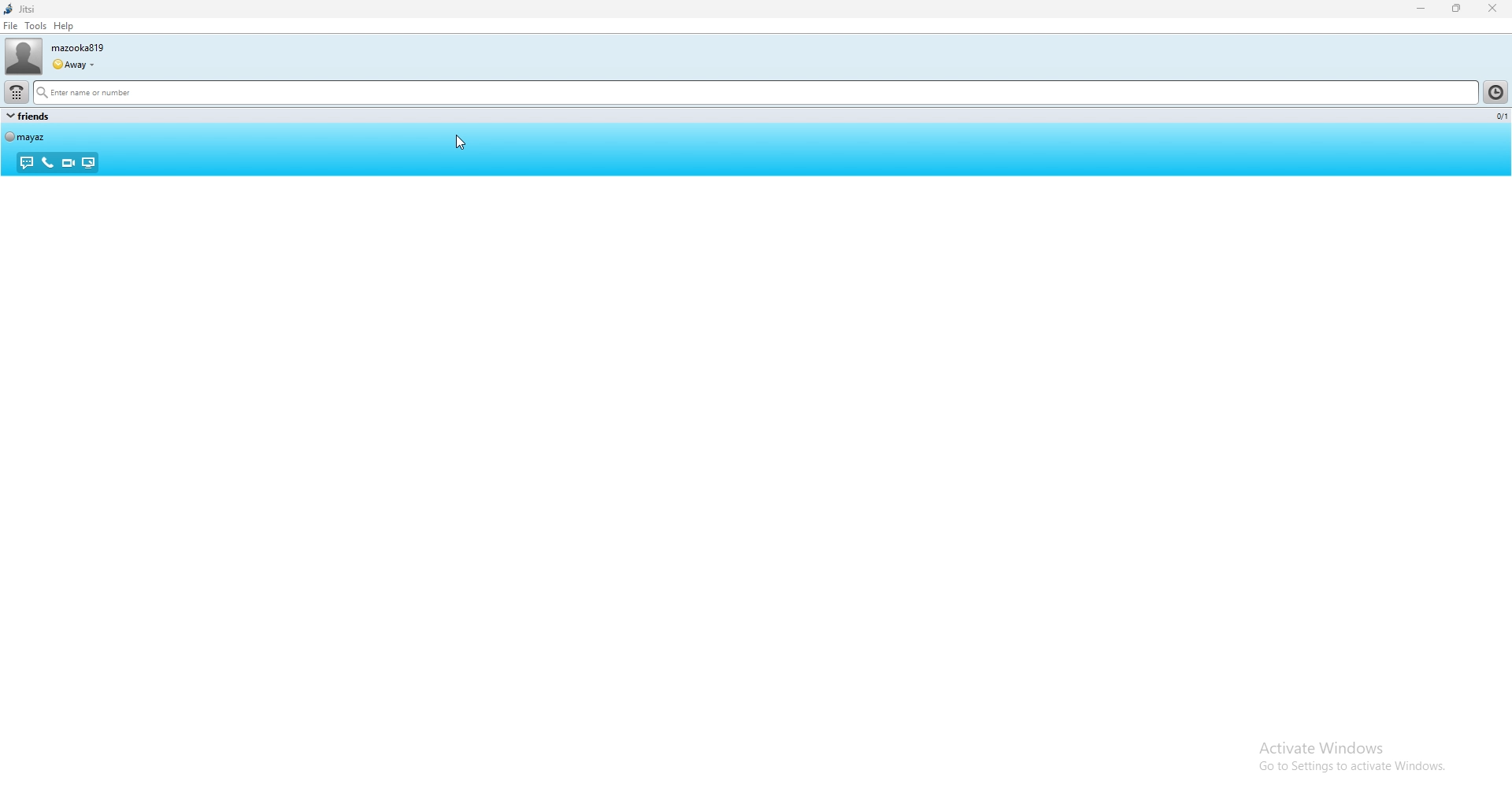 The width and height of the screenshot is (1512, 811). Describe the element at coordinates (23, 57) in the screenshot. I see `user photo` at that location.